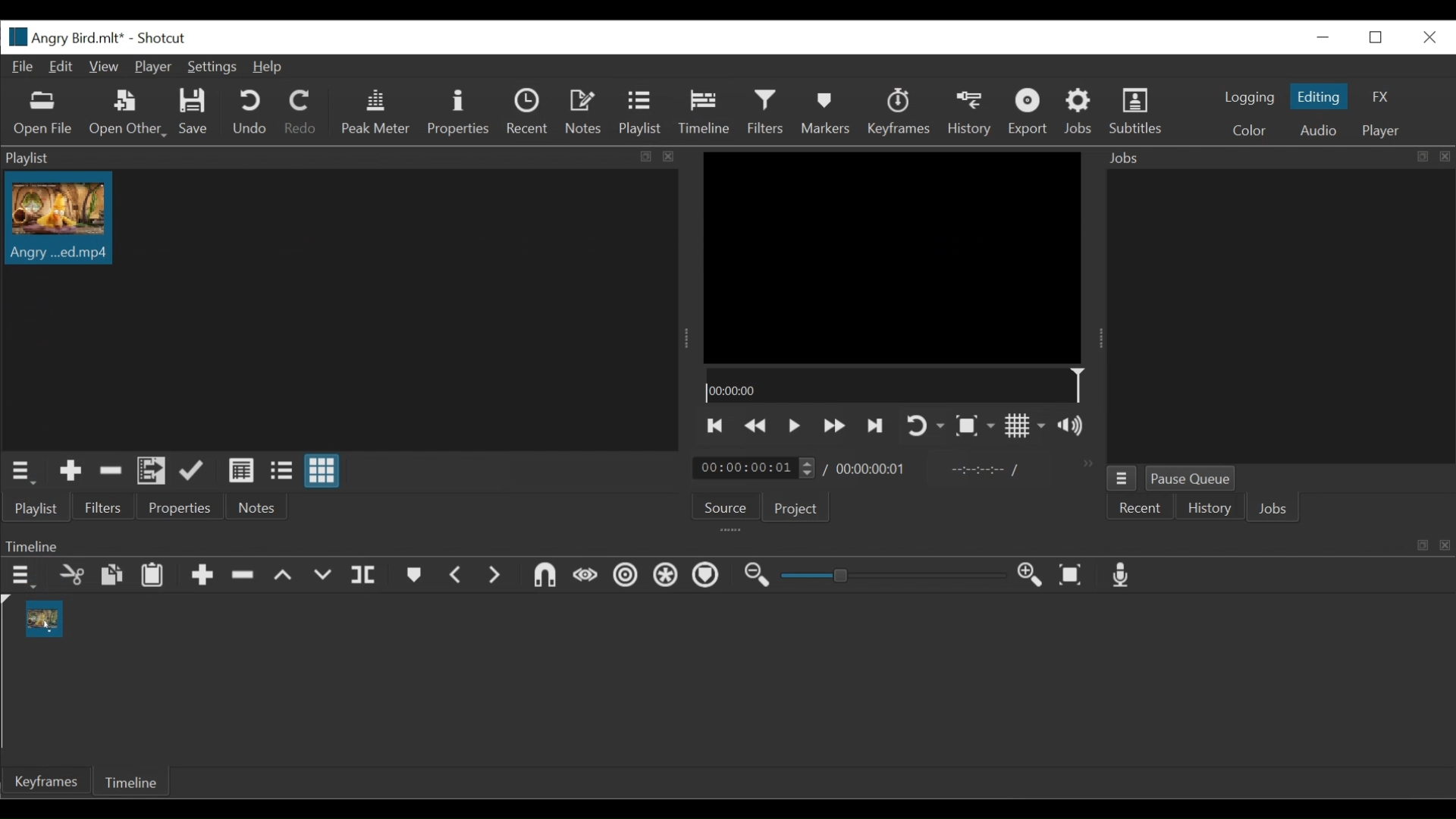 This screenshot has height=819, width=1456. Describe the element at coordinates (588, 575) in the screenshot. I see `Scrub while dragging` at that location.